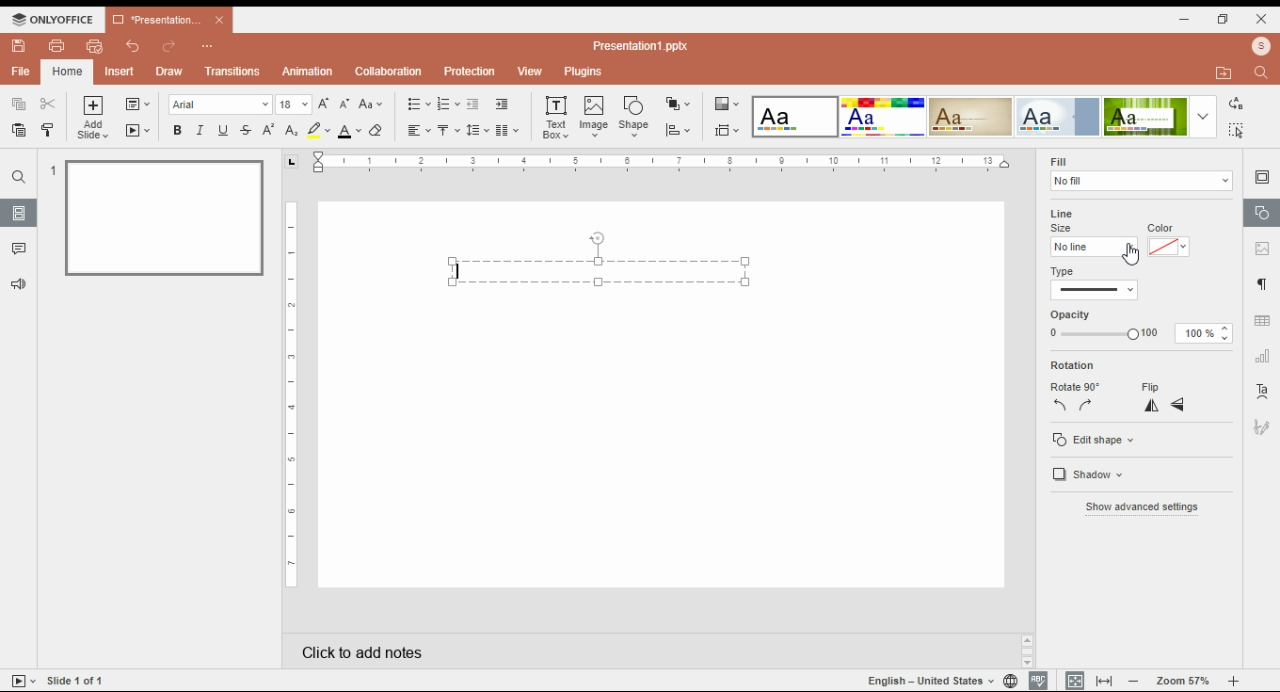 This screenshot has height=692, width=1280. Describe the element at coordinates (479, 130) in the screenshot. I see `line spacing` at that location.